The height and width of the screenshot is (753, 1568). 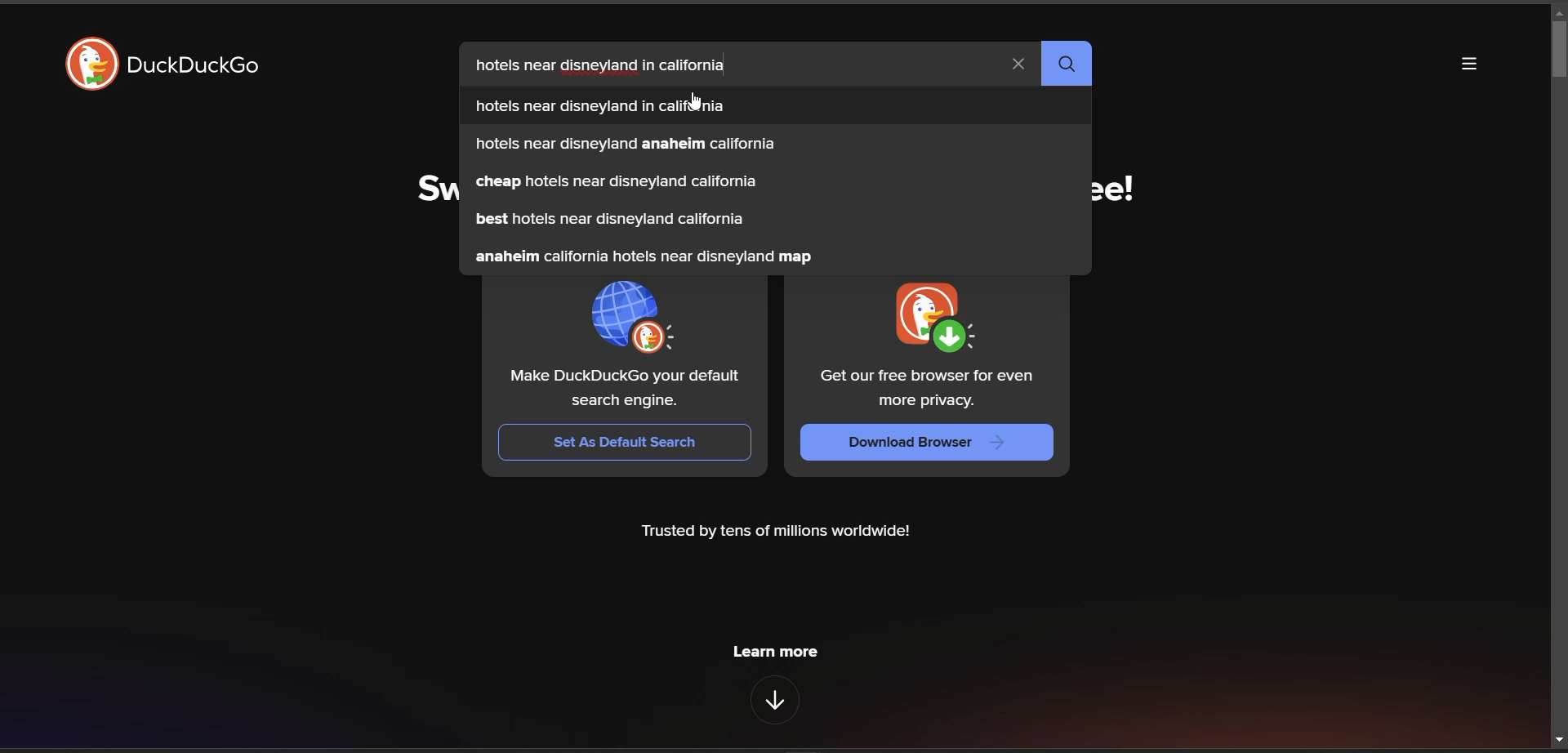 What do you see at coordinates (693, 100) in the screenshot?
I see `cursor` at bounding box center [693, 100].